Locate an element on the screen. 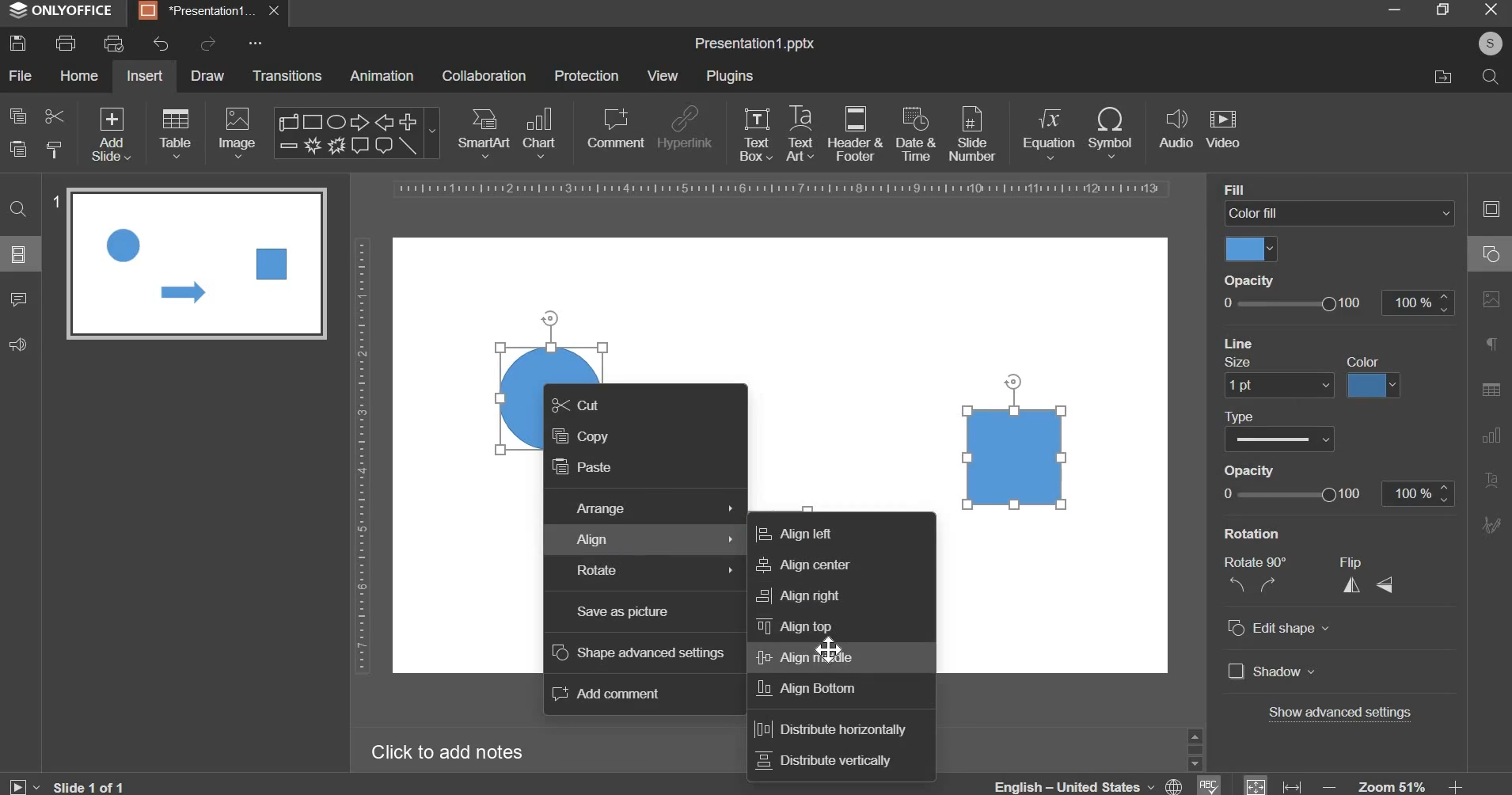 This screenshot has width=1512, height=795. type is located at coordinates (1243, 415).